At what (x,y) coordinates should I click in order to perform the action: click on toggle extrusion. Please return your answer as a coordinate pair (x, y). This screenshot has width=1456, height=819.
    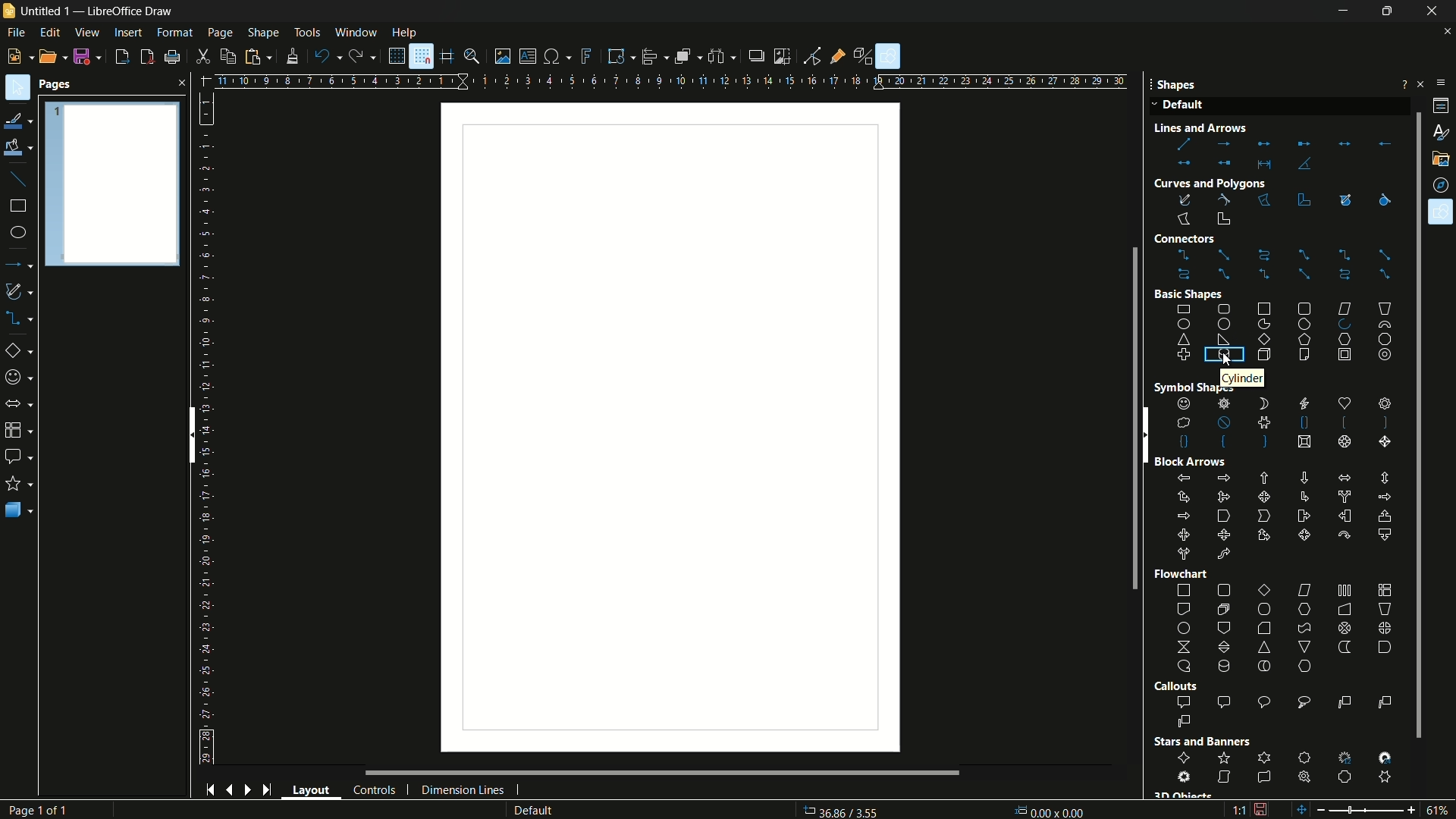
    Looking at the image, I should click on (864, 57).